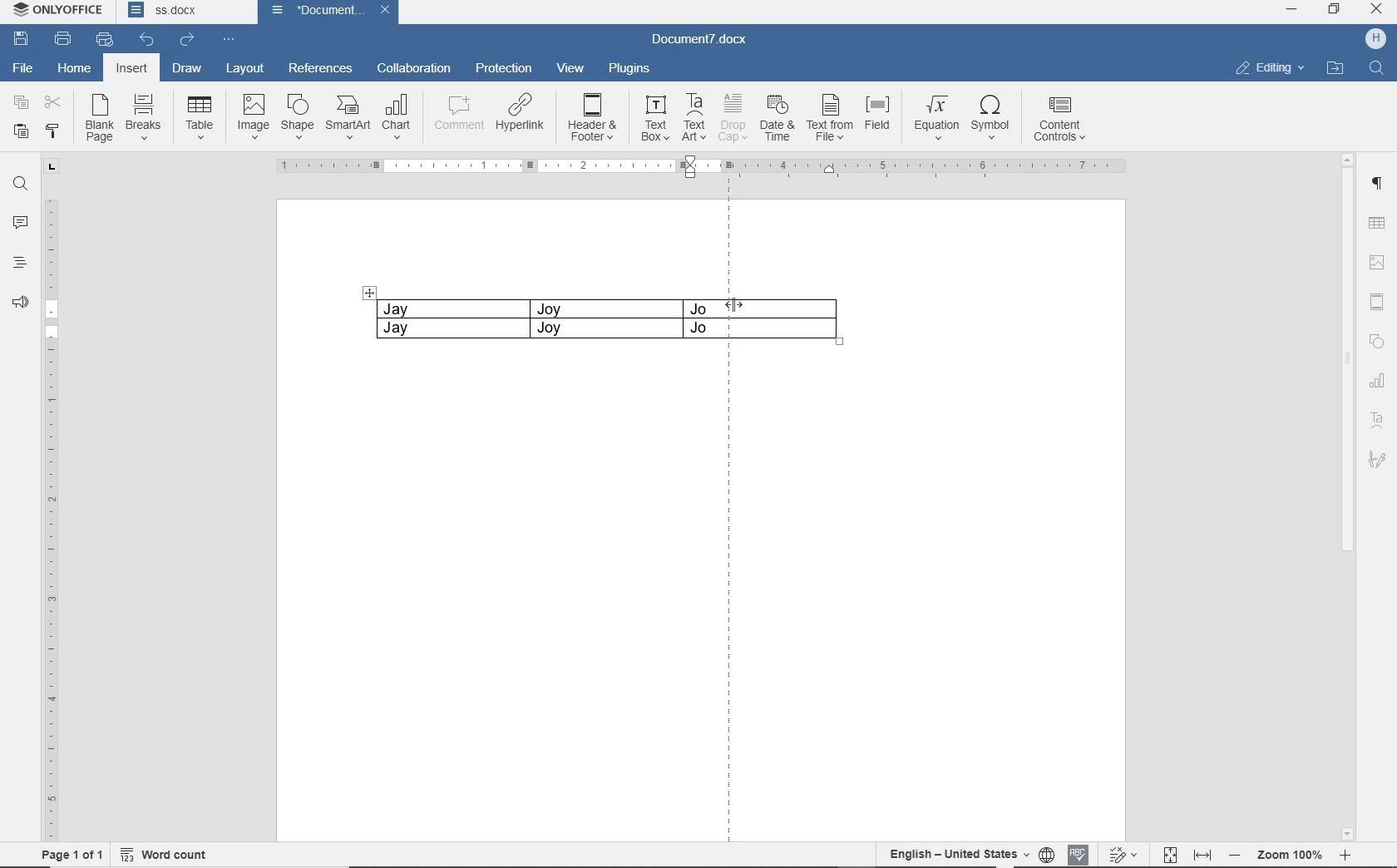 Image resolution: width=1397 pixels, height=868 pixels. I want to click on MINIMIZE, so click(1291, 9).